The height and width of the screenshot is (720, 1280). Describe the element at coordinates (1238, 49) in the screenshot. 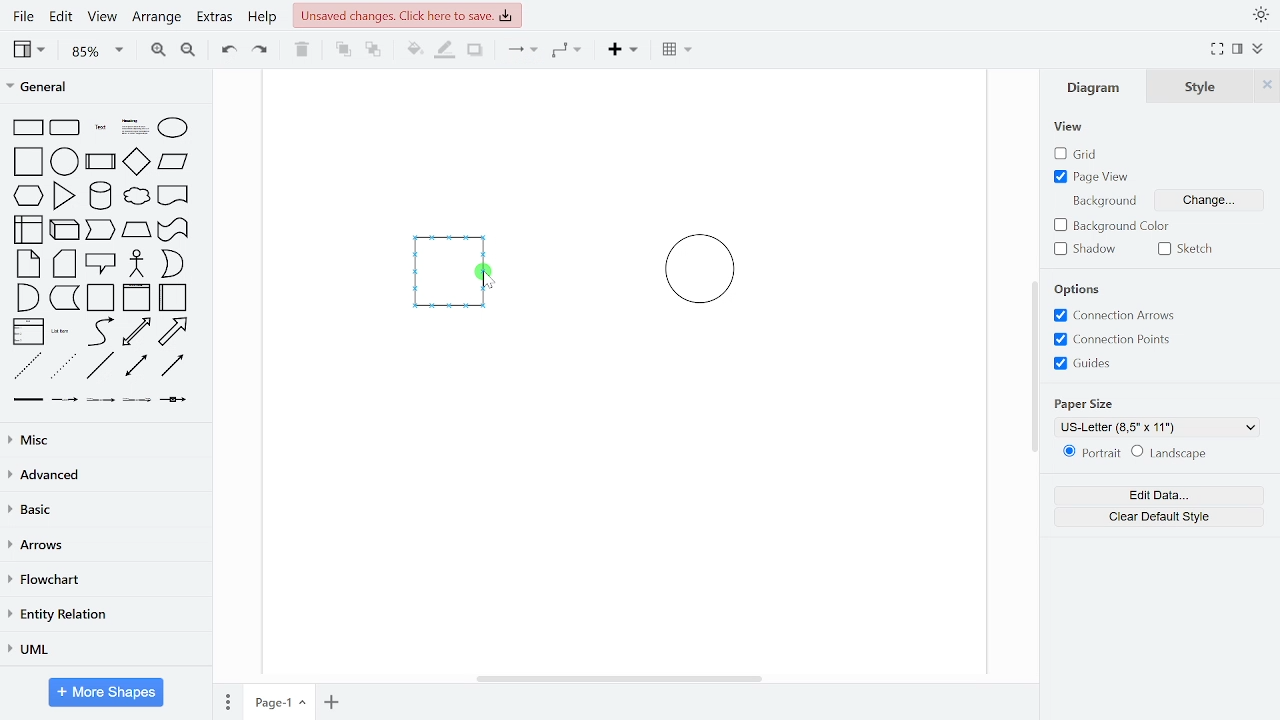

I see `format` at that location.